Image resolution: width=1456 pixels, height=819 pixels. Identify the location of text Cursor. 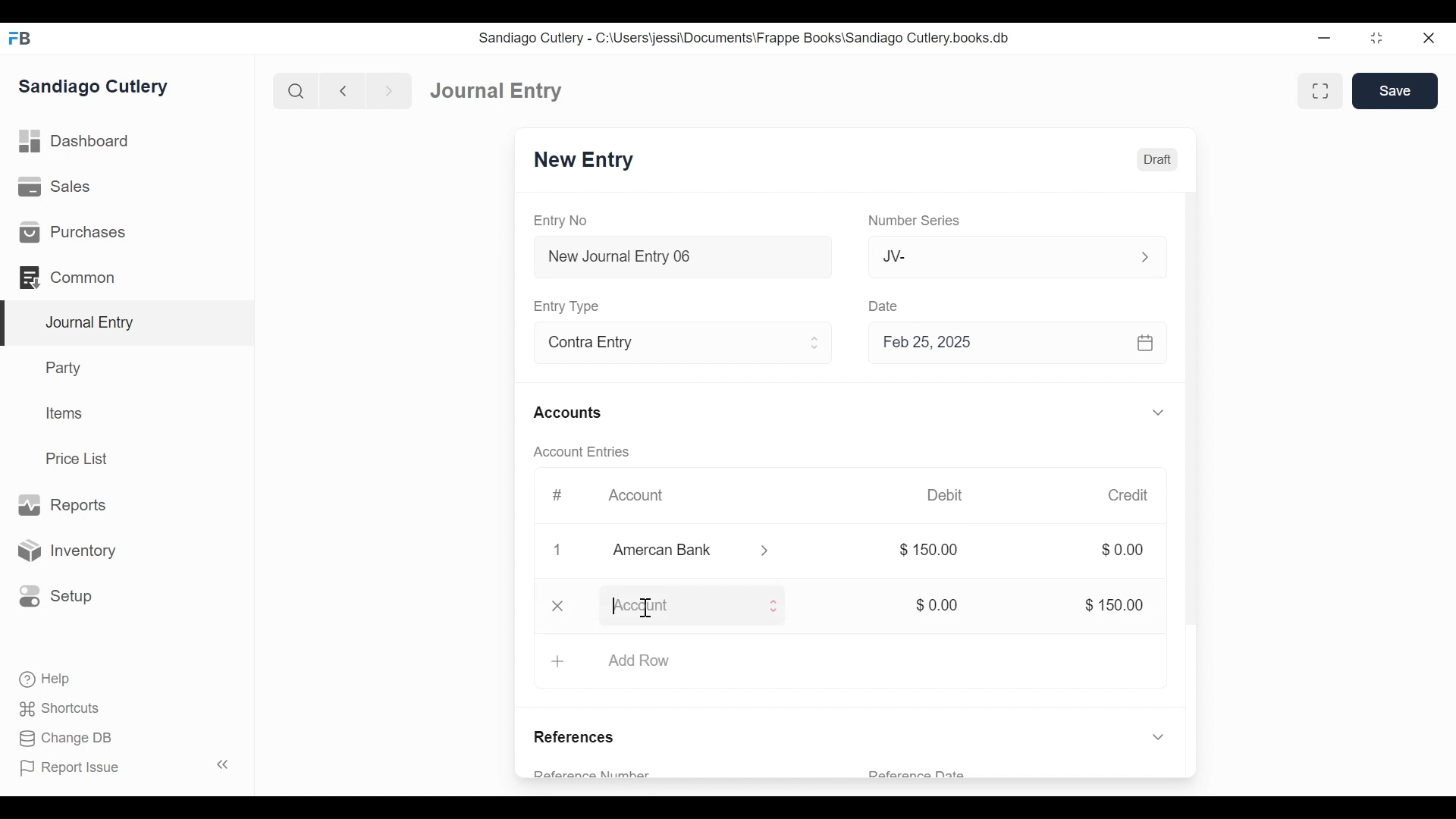
(647, 610).